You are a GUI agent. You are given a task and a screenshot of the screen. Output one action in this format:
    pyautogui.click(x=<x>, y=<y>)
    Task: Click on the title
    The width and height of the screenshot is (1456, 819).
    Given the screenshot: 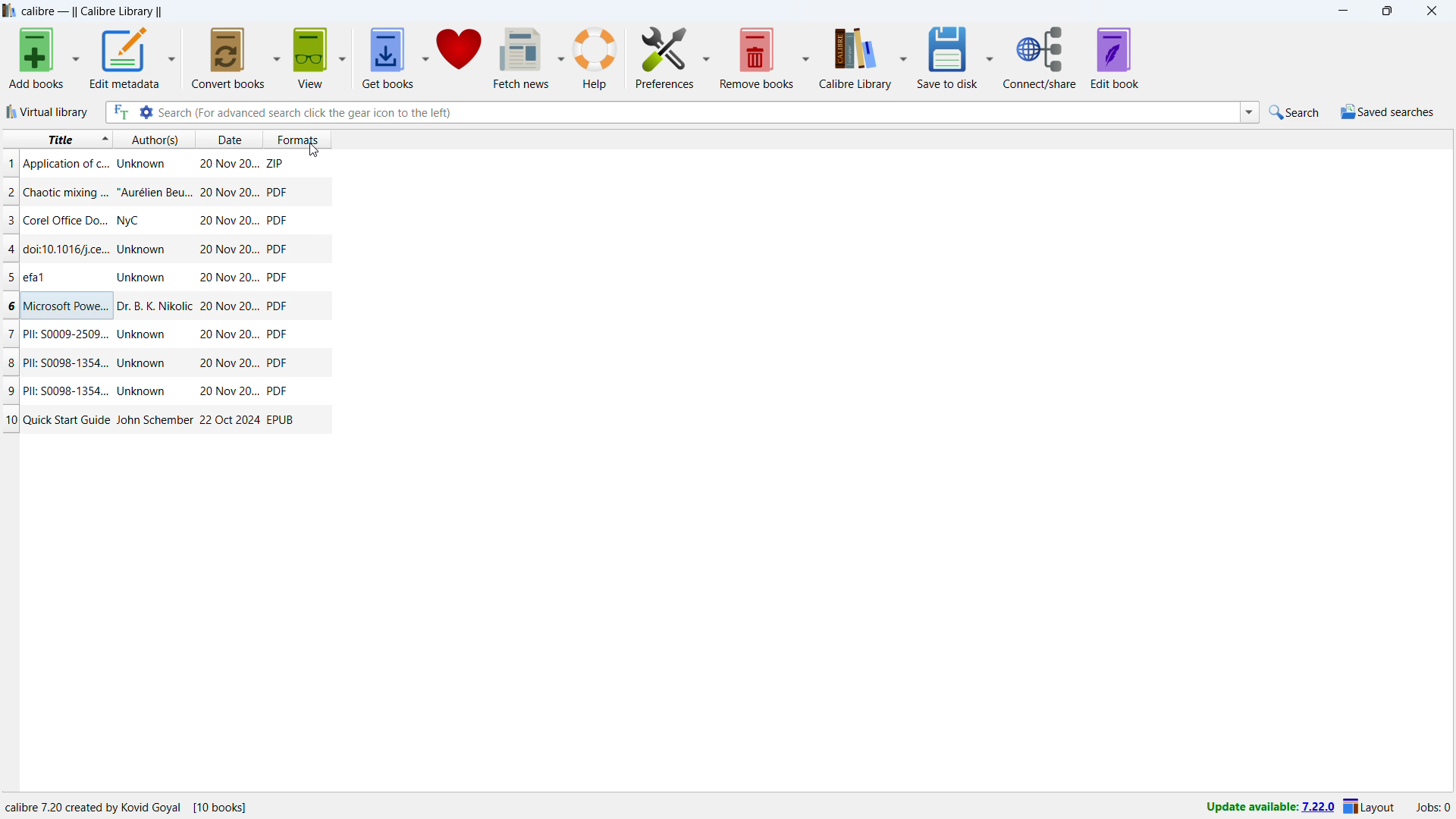 What is the action you would take?
    pyautogui.click(x=66, y=390)
    